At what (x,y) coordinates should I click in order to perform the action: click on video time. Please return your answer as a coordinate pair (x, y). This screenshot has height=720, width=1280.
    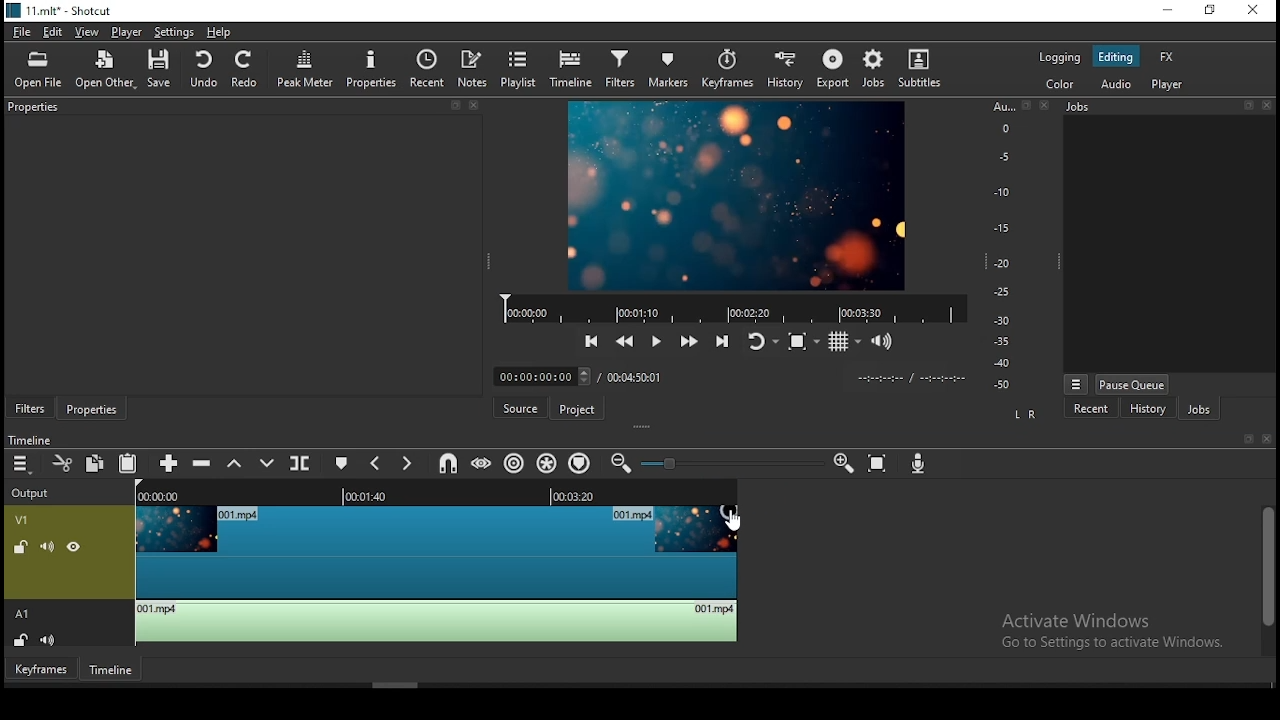
    Looking at the image, I should click on (170, 497).